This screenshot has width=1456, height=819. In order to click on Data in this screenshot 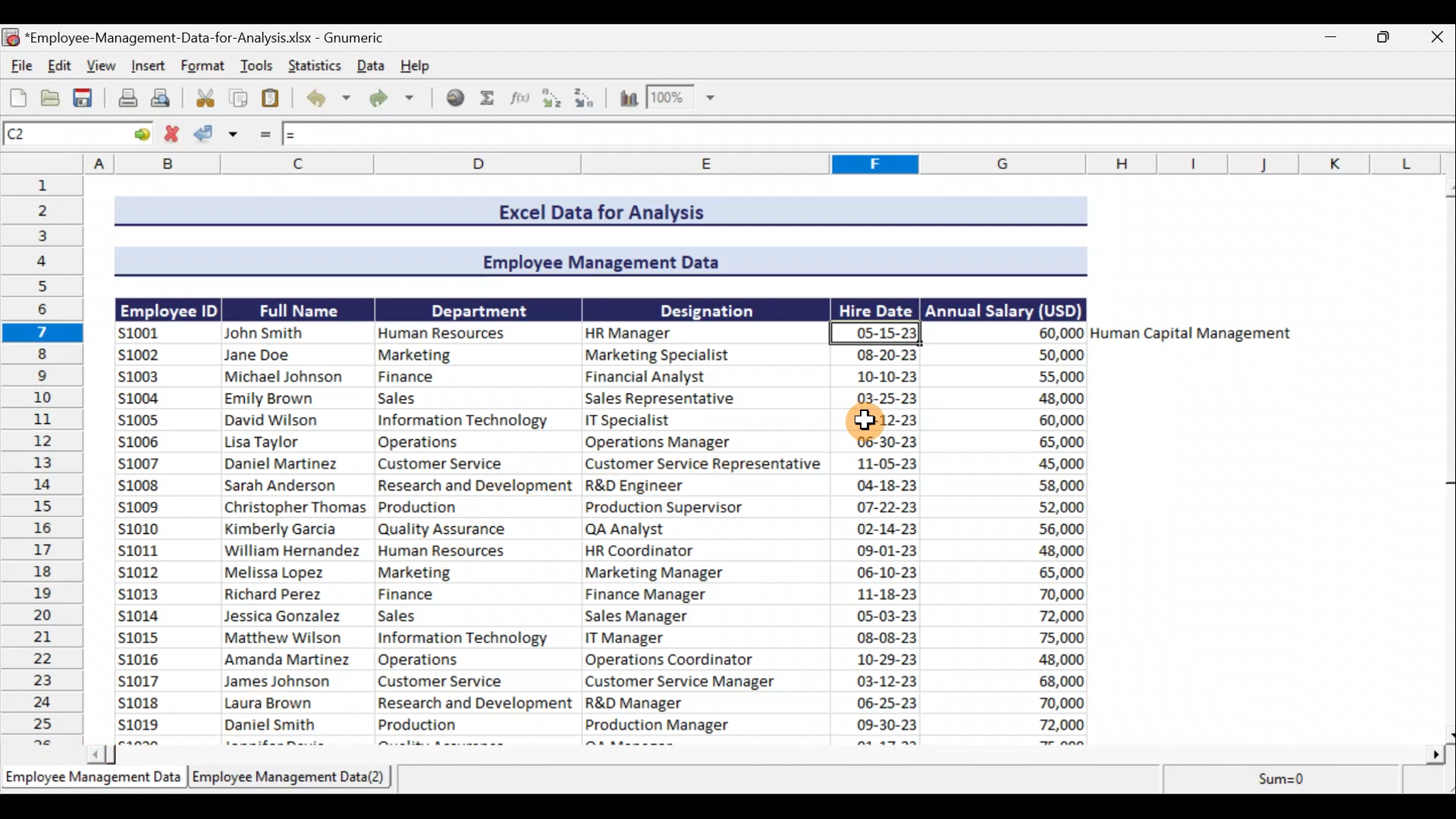, I will do `click(718, 469)`.